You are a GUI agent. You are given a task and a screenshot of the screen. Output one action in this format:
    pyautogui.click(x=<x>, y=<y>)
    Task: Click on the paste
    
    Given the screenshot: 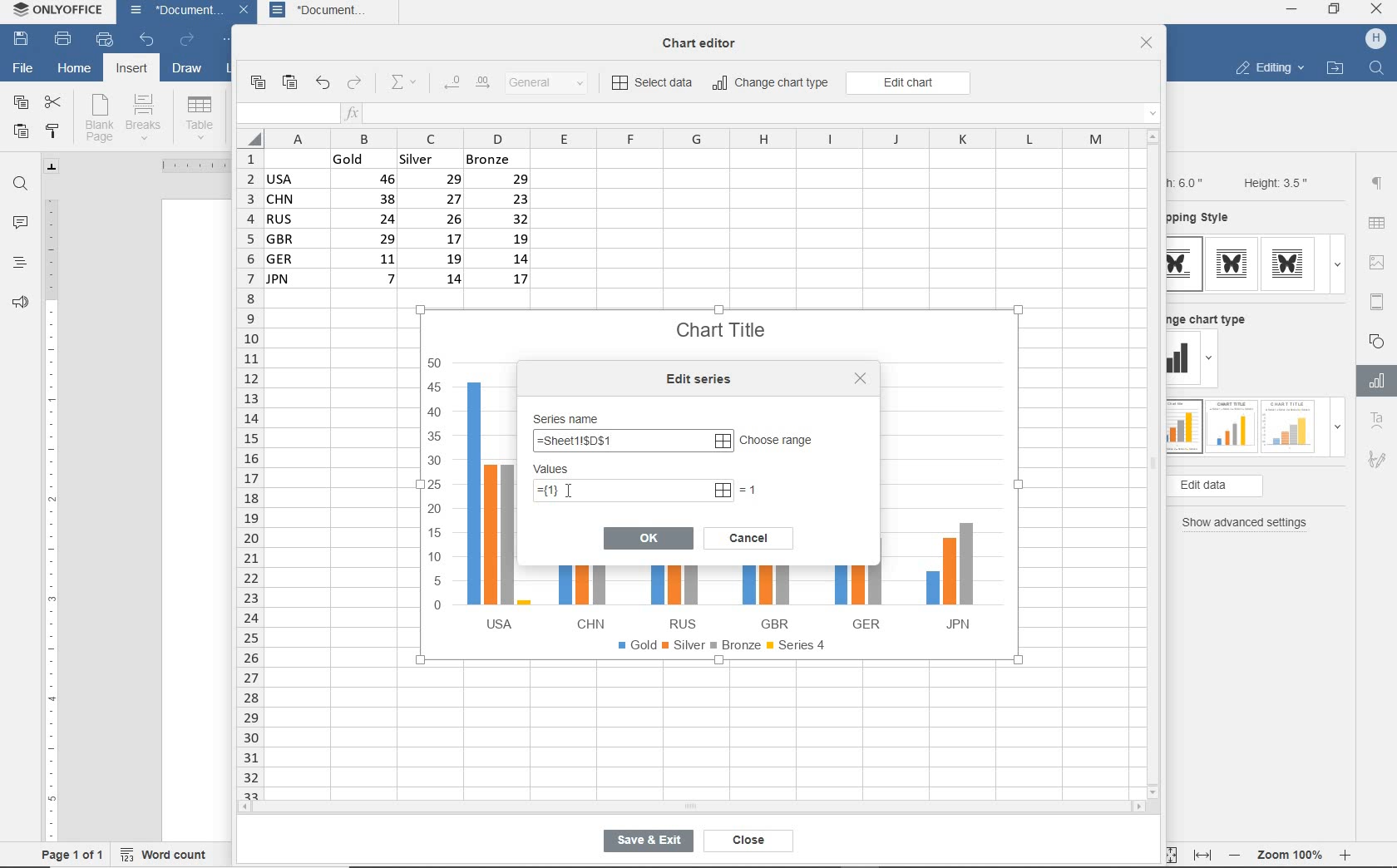 What is the action you would take?
    pyautogui.click(x=291, y=83)
    